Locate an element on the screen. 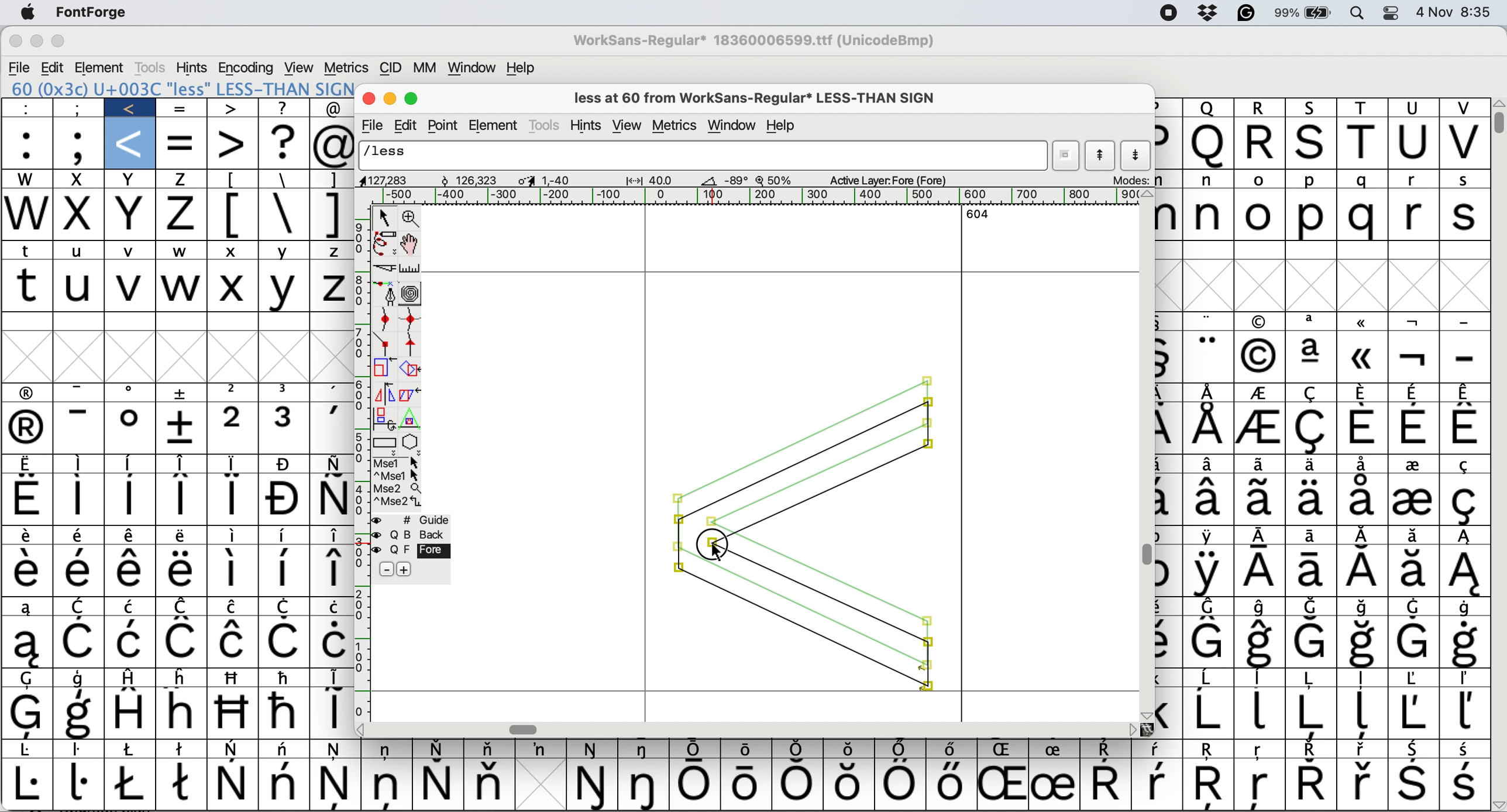  o is located at coordinates (1261, 215).